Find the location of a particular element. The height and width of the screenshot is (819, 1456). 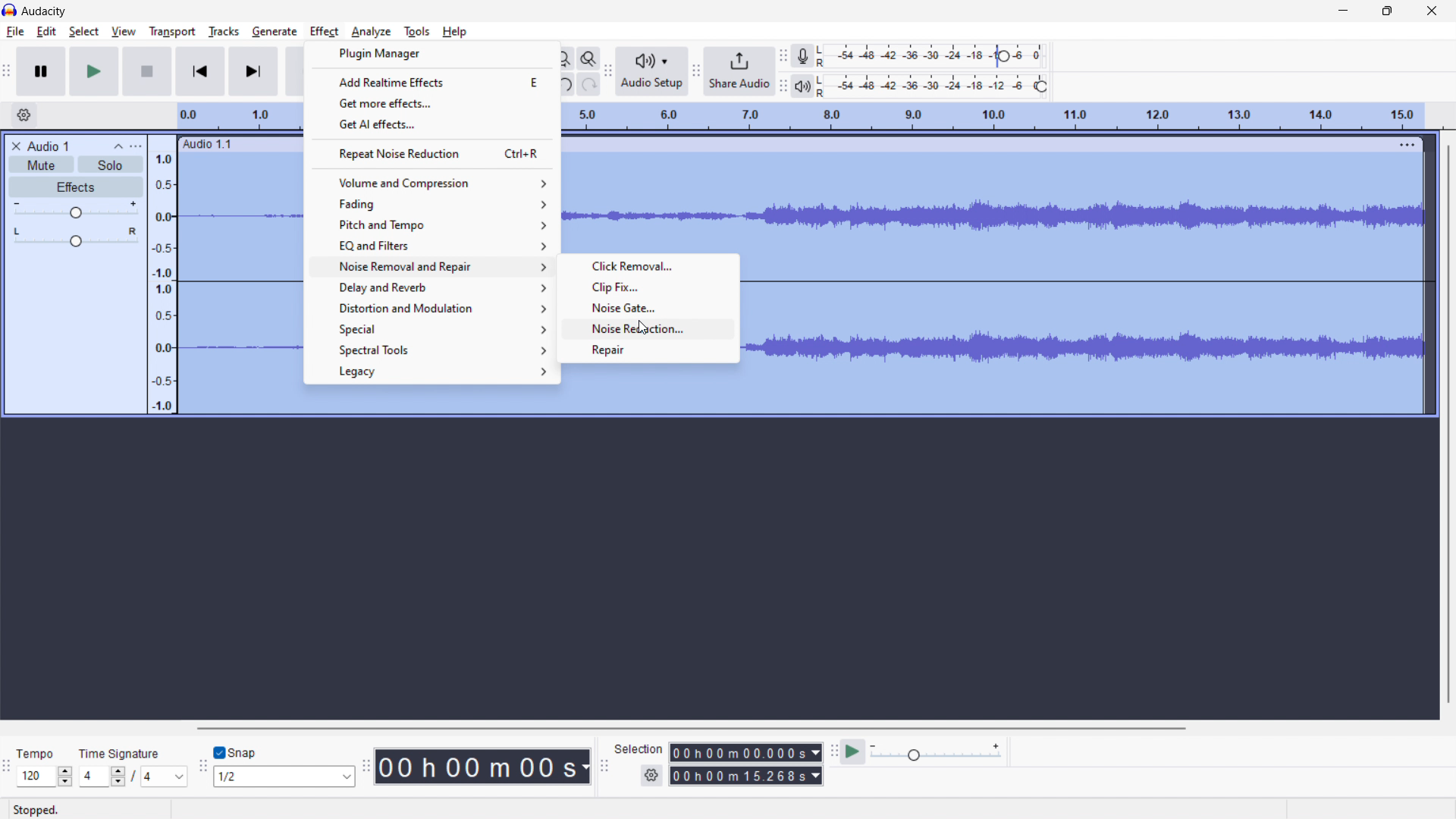

close is located at coordinates (1432, 11).